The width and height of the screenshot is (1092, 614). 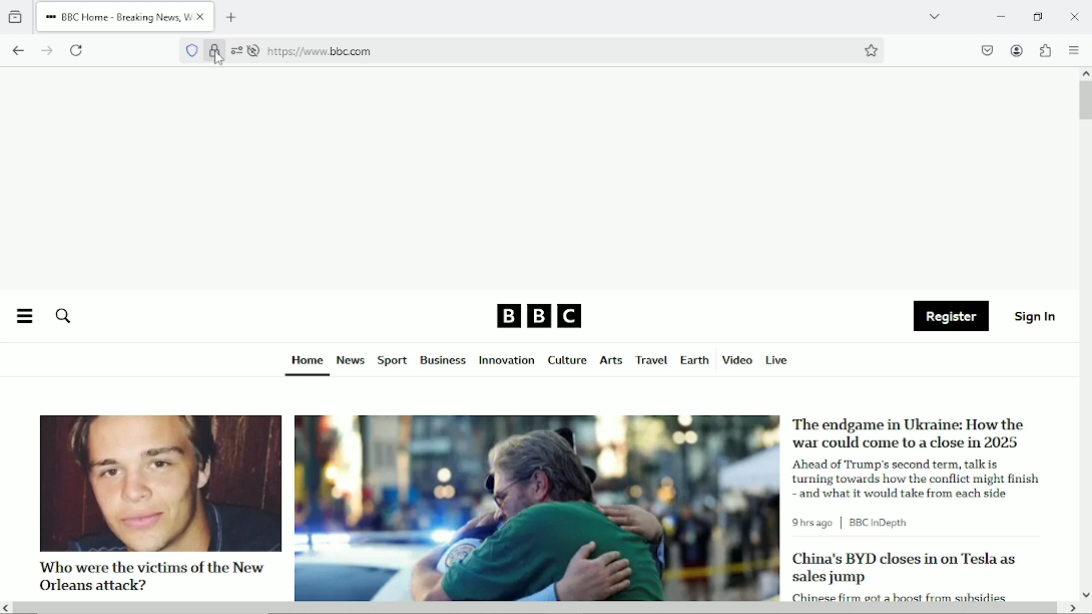 What do you see at coordinates (192, 50) in the screenshot?
I see `No trackers known to firefox were detected on this page` at bounding box center [192, 50].